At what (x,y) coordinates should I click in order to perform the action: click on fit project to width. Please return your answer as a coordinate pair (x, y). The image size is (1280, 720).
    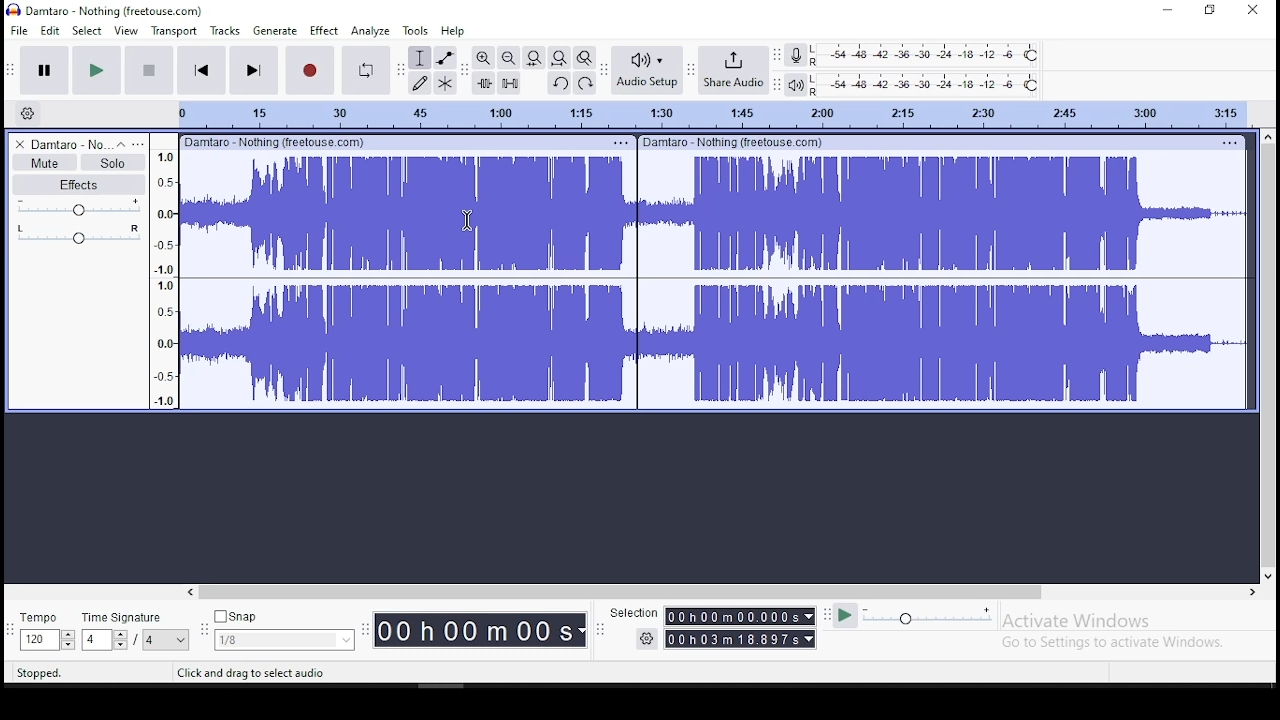
    Looking at the image, I should click on (535, 56).